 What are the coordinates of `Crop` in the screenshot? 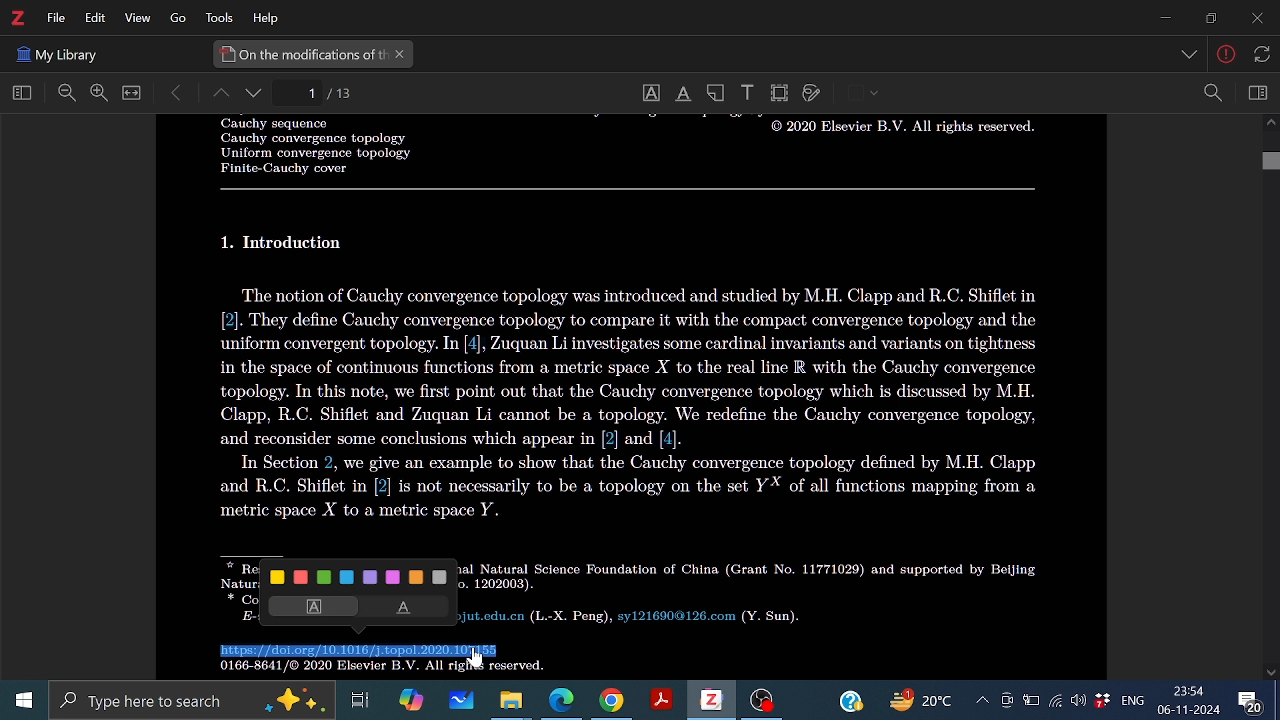 It's located at (780, 93).